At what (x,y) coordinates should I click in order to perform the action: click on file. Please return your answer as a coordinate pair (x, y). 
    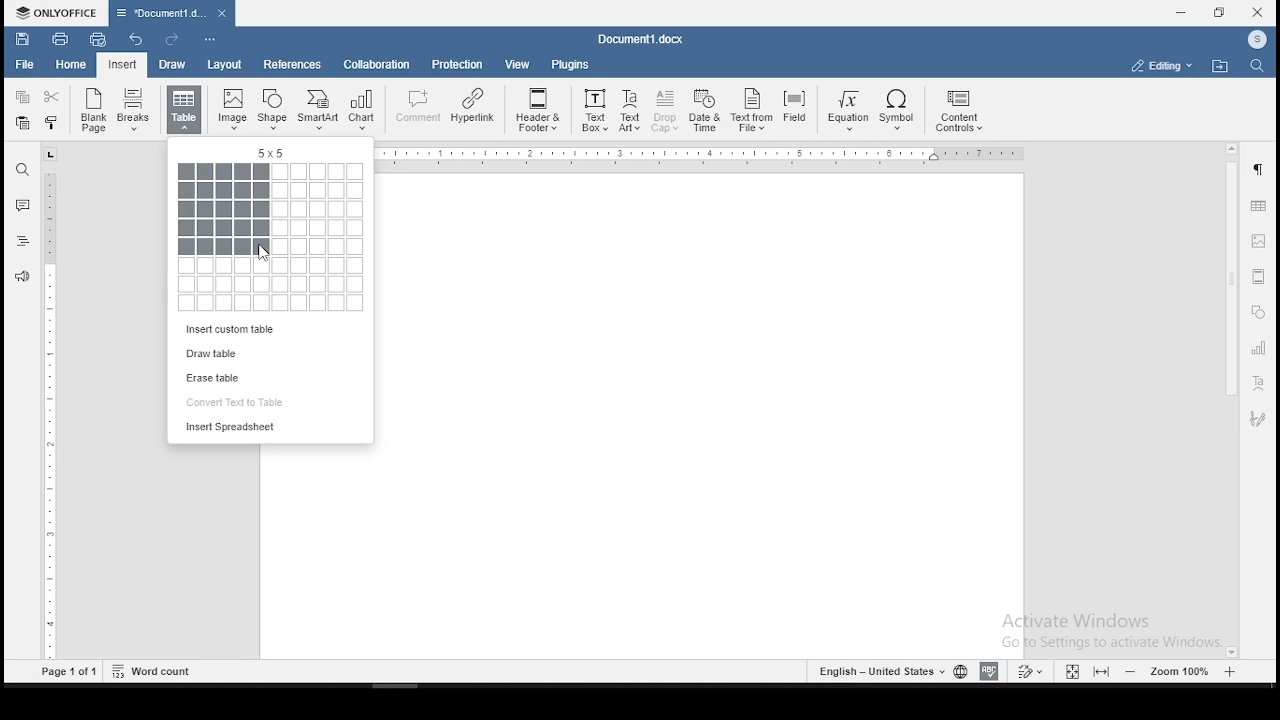
    Looking at the image, I should click on (27, 66).